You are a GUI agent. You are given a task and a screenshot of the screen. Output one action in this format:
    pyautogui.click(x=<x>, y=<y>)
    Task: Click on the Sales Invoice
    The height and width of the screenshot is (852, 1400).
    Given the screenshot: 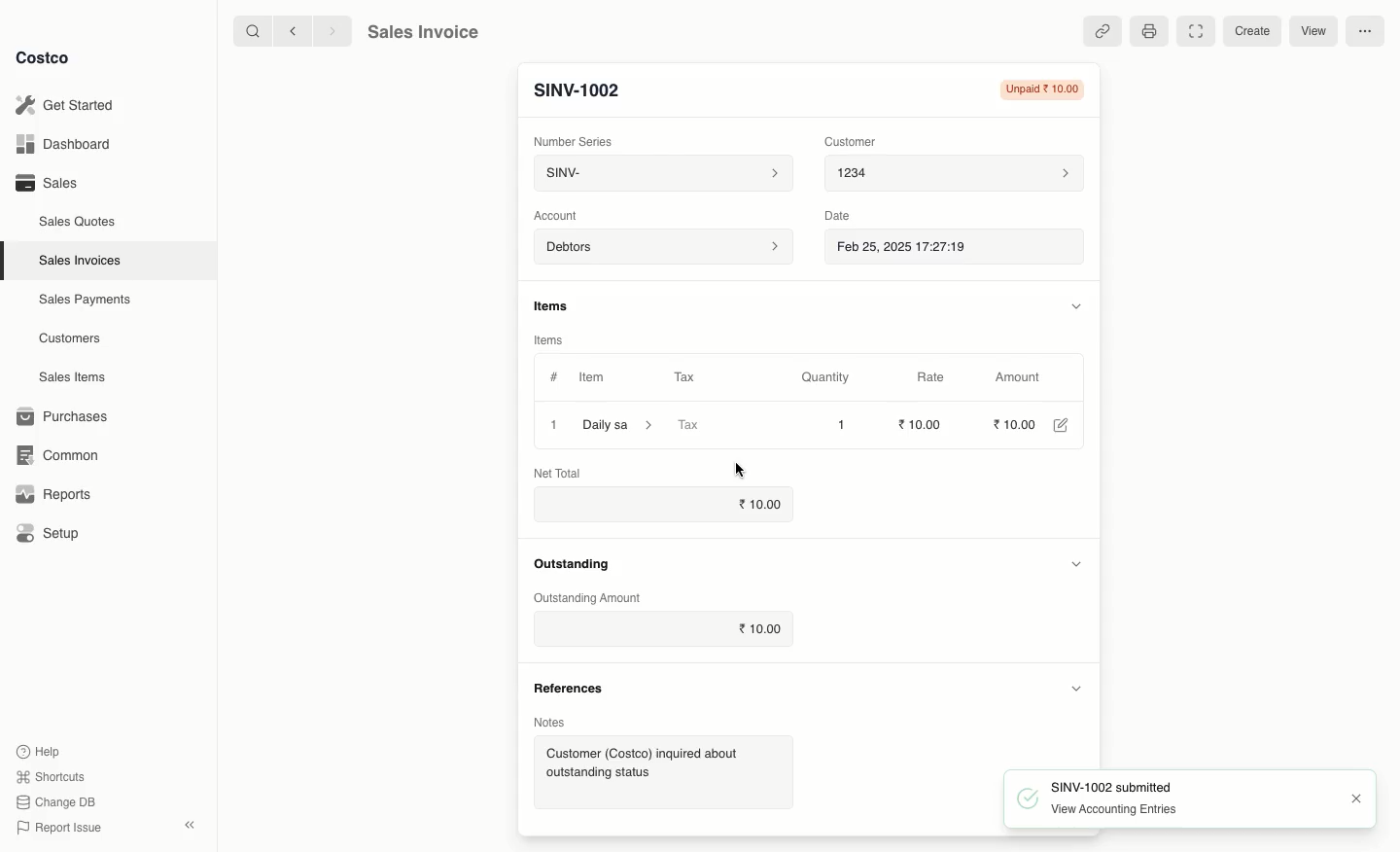 What is the action you would take?
    pyautogui.click(x=427, y=32)
    